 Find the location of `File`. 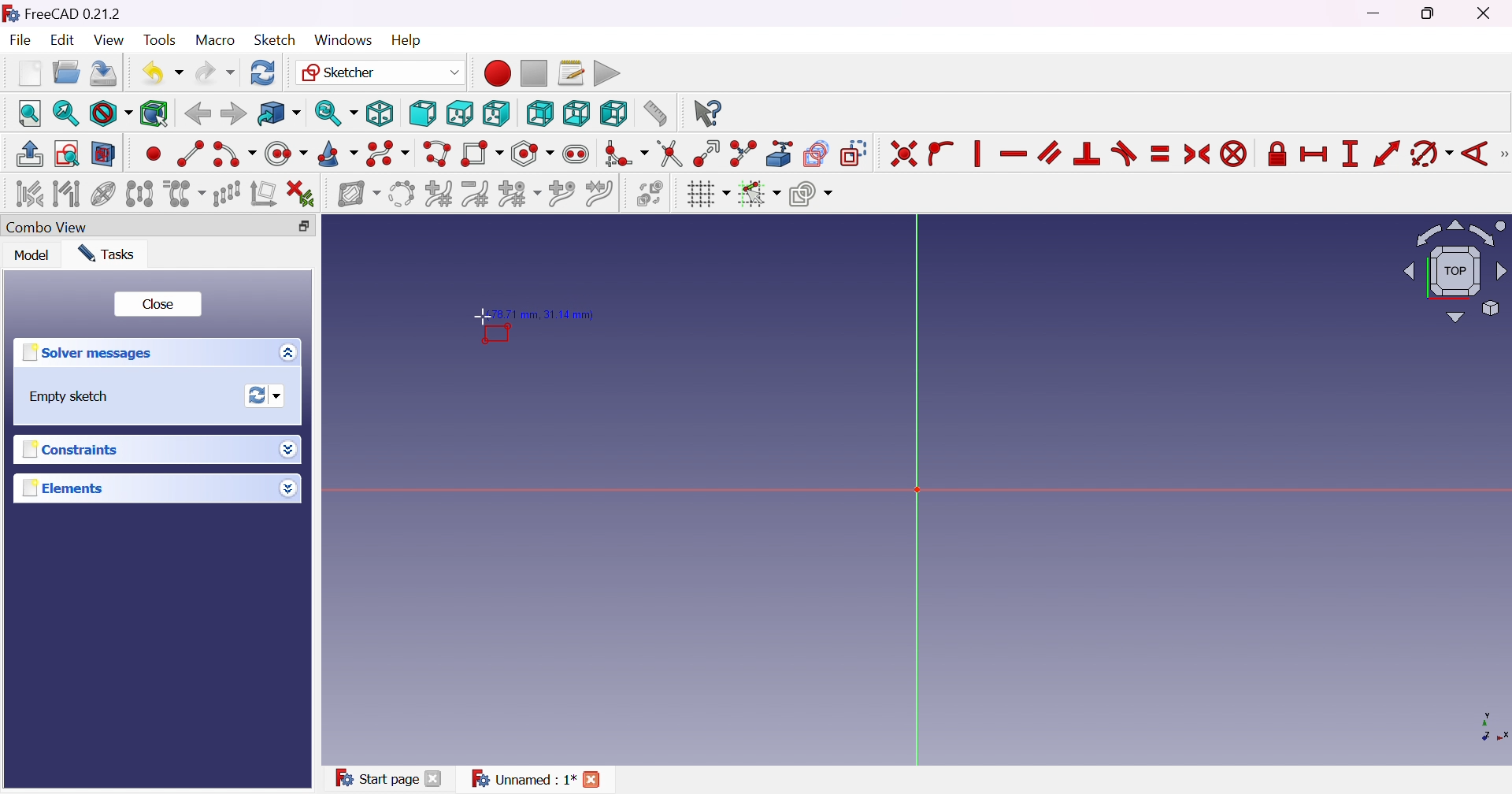

File is located at coordinates (20, 39).